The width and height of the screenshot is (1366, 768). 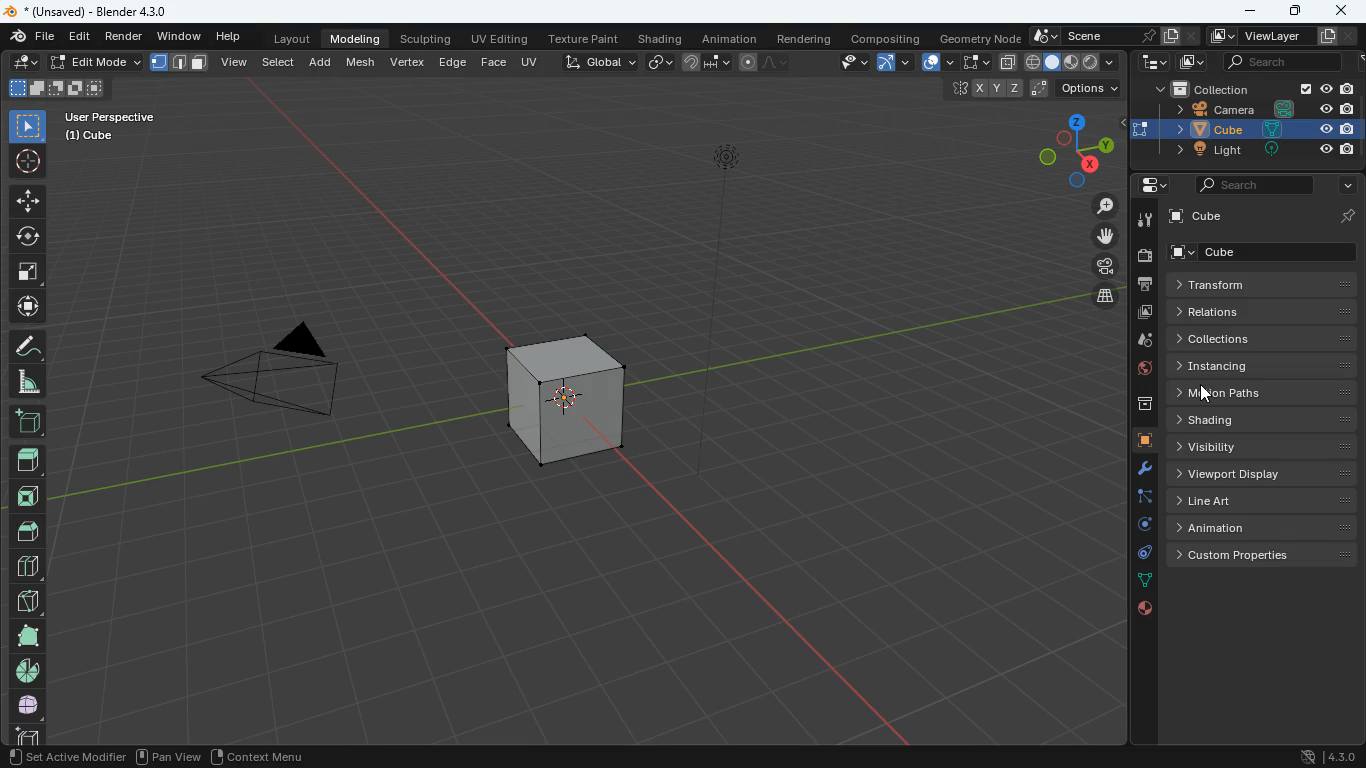 I want to click on cube, so click(x=1268, y=252).